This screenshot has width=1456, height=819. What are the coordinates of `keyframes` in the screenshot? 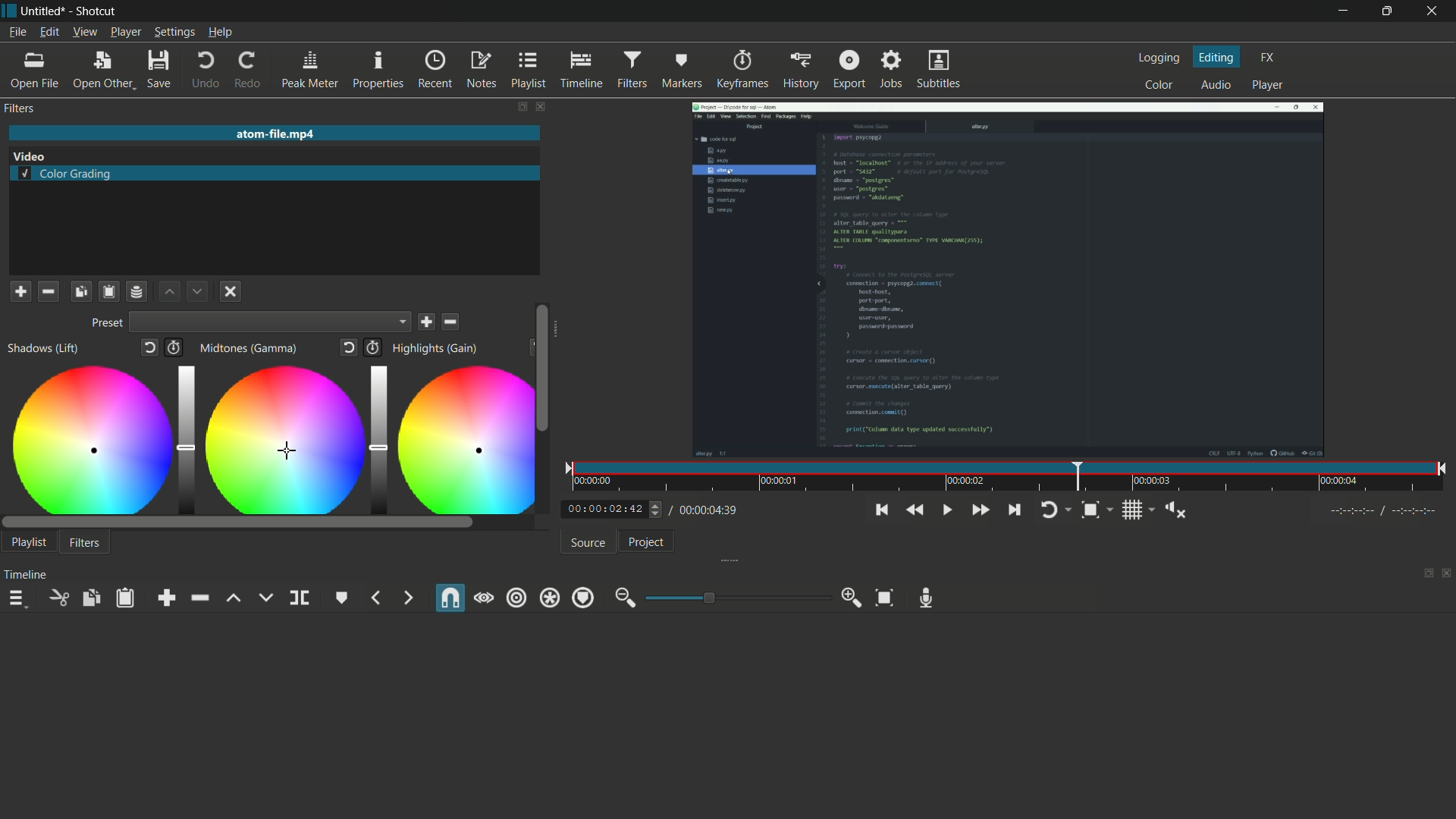 It's located at (742, 70).